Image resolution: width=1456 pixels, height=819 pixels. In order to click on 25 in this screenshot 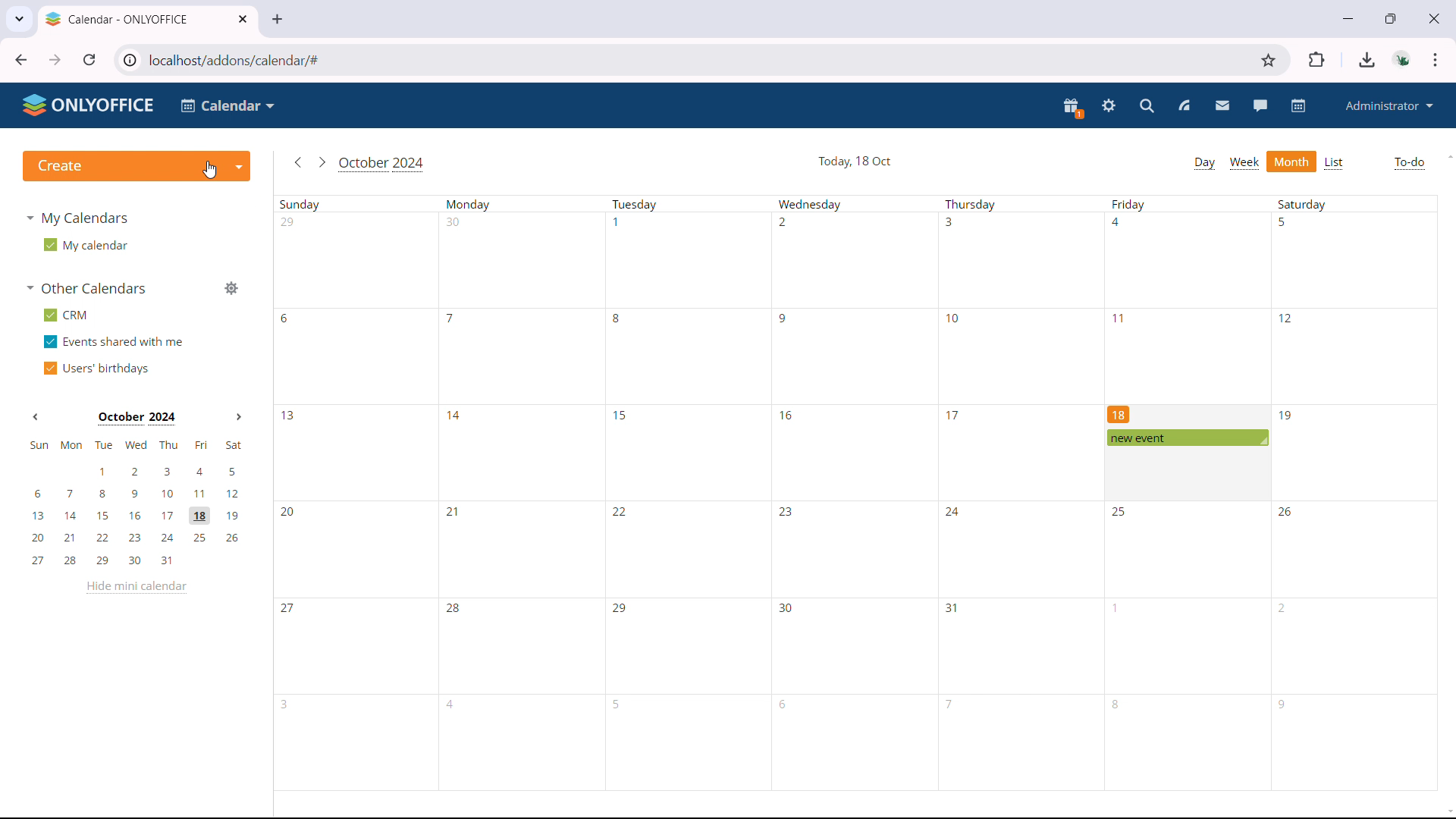, I will do `click(1122, 512)`.